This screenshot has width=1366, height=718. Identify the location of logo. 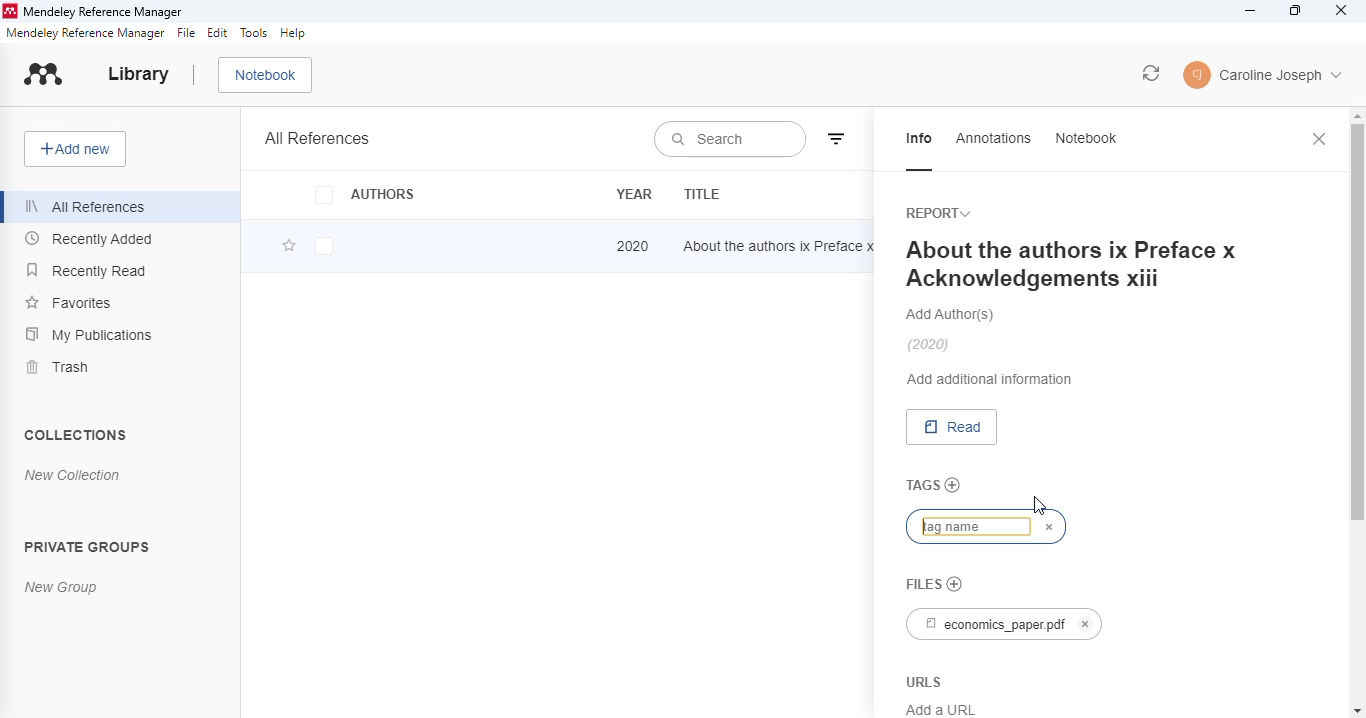
(48, 75).